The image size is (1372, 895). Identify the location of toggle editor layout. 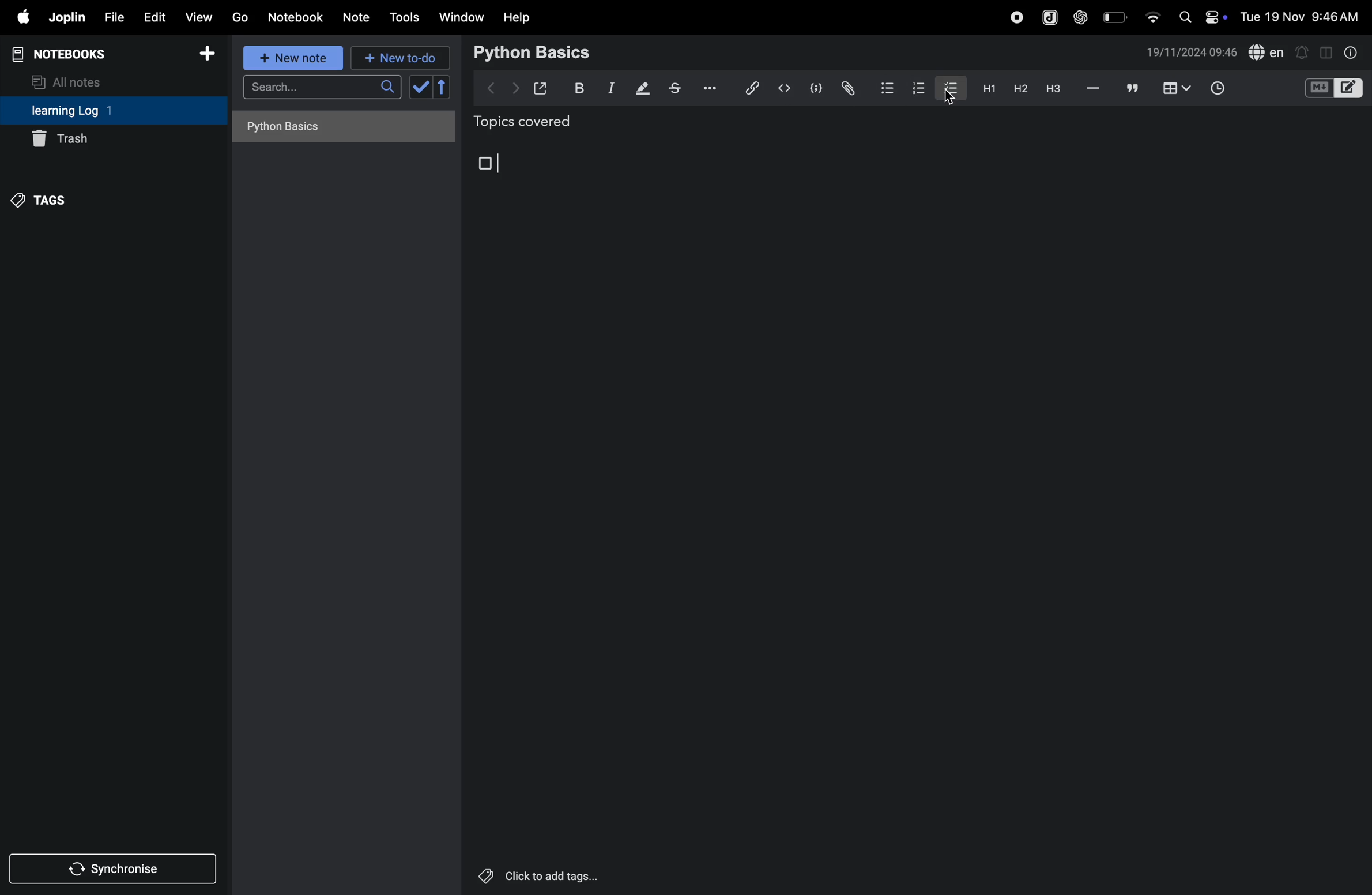
(1327, 51).